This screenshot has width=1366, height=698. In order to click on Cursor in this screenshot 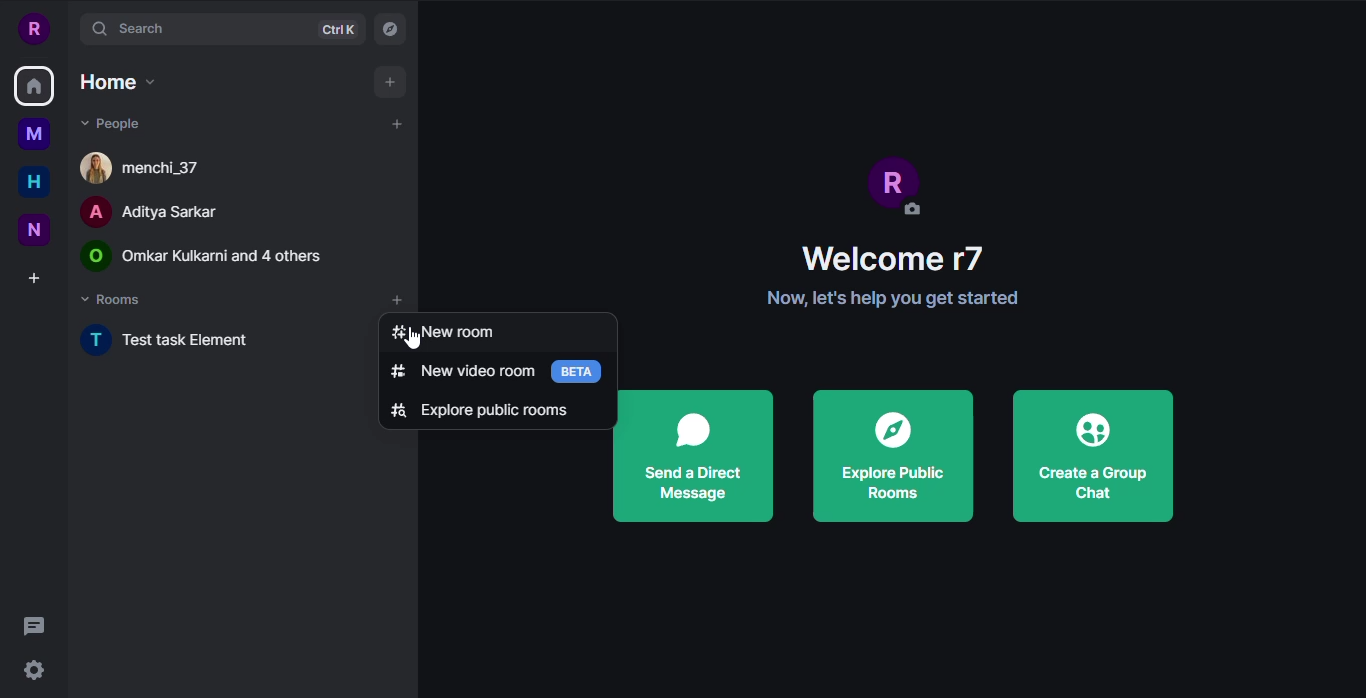, I will do `click(410, 337)`.